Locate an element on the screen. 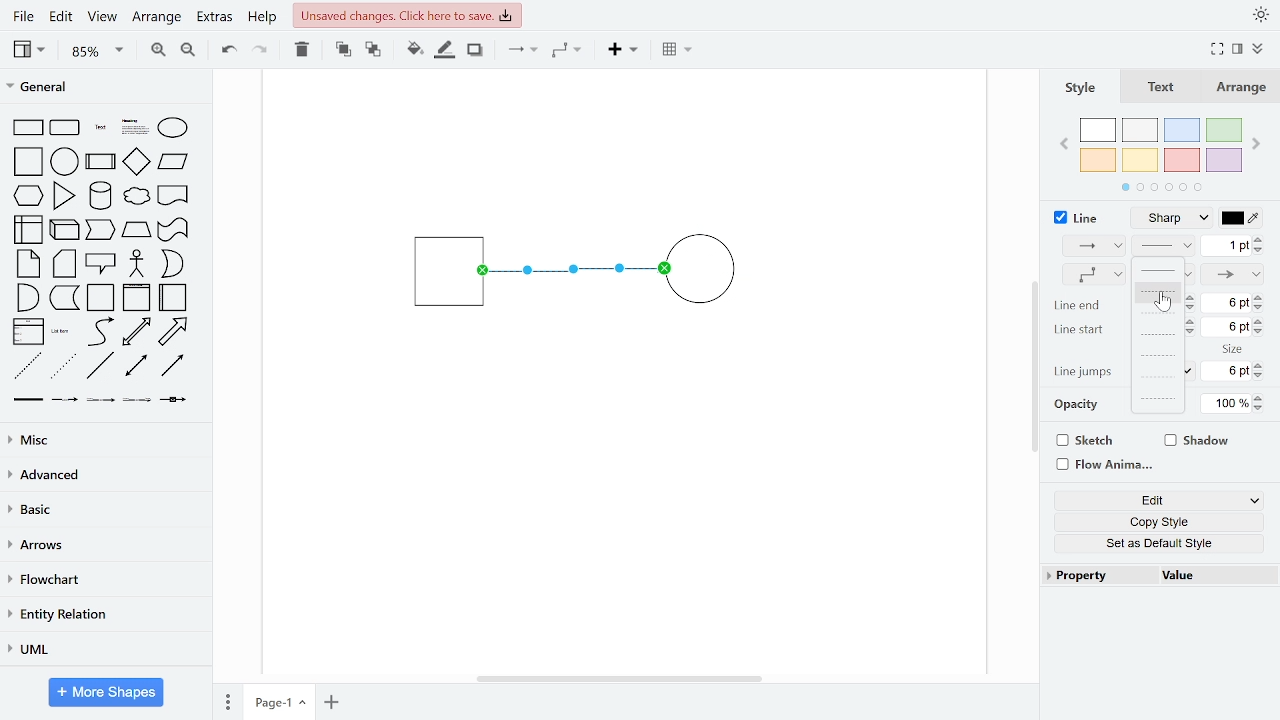  line style is located at coordinates (1170, 219).